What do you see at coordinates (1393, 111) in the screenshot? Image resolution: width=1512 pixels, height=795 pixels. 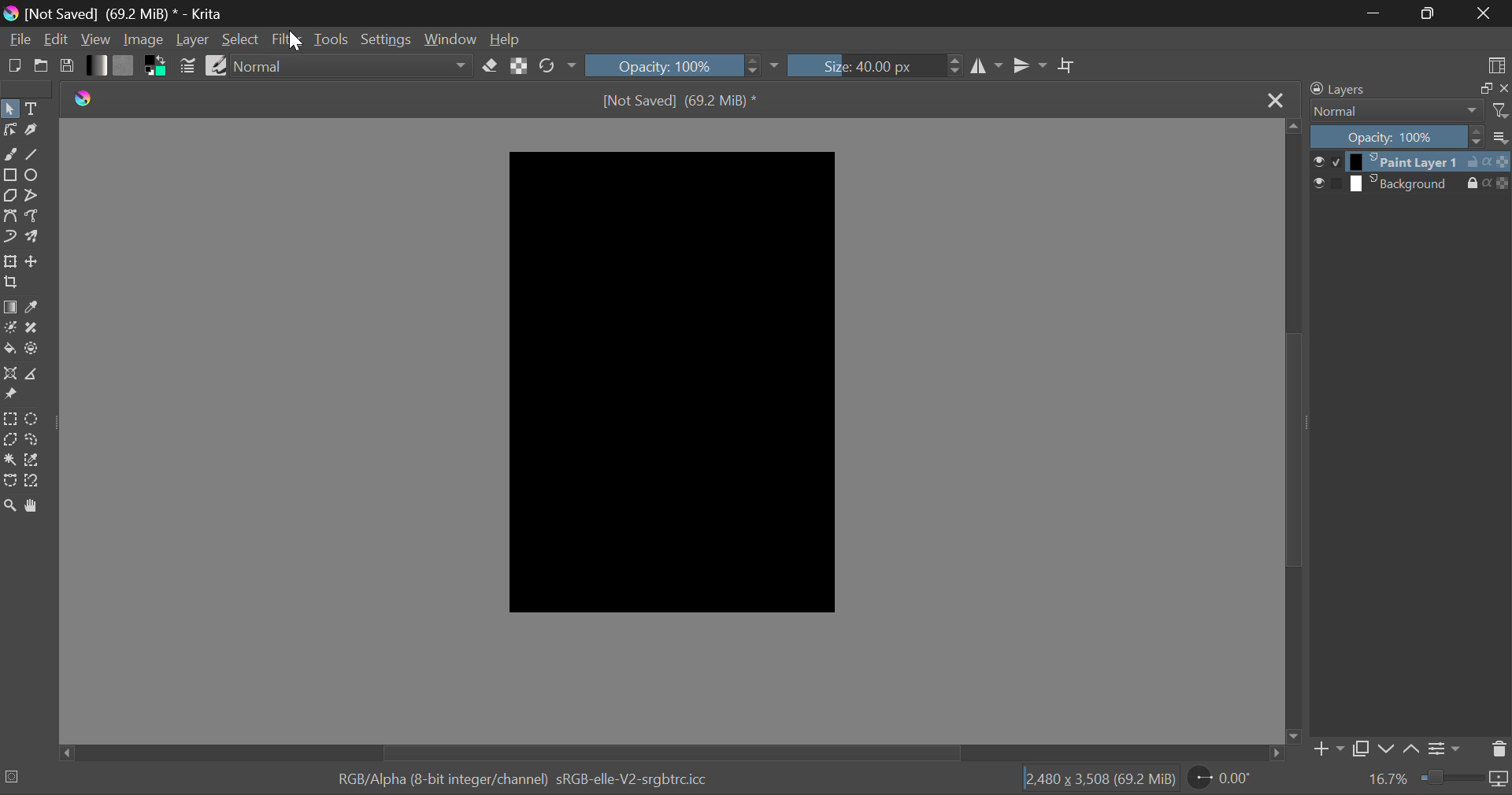 I see `Blending Mode` at bounding box center [1393, 111].